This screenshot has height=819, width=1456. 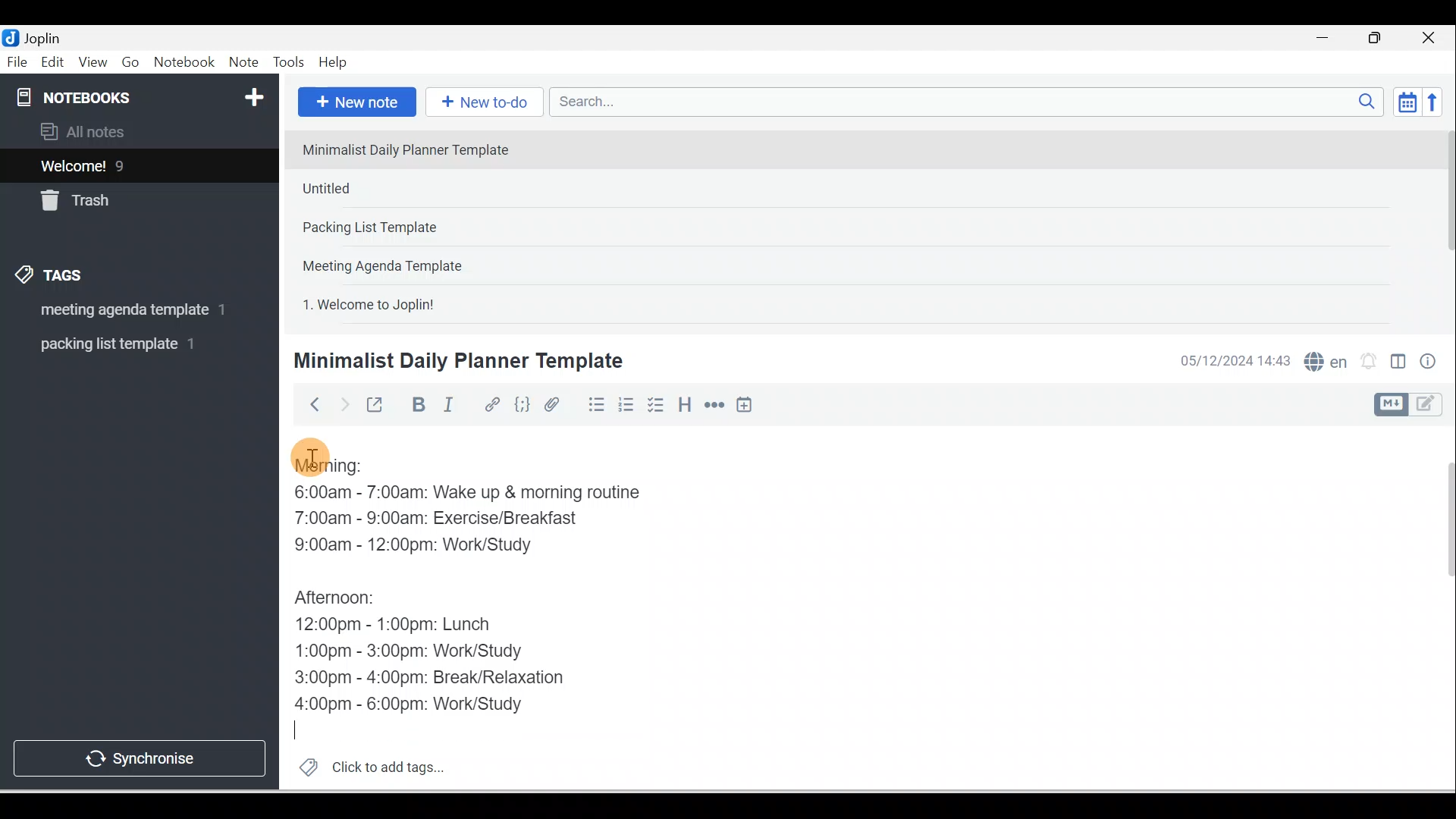 I want to click on 6:00am - 7:00am: Wake up & morning routine, so click(x=482, y=495).